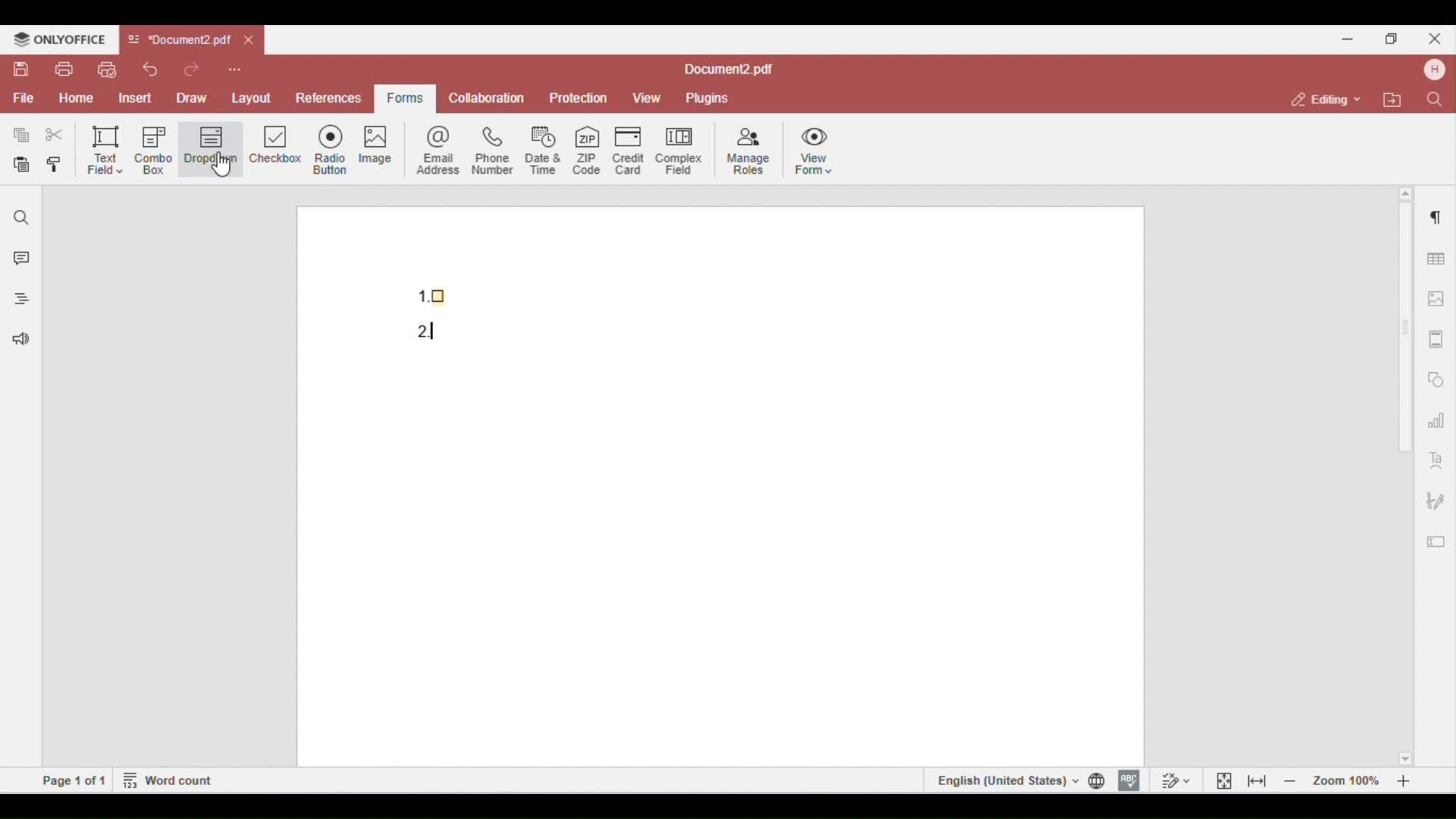 The height and width of the screenshot is (819, 1456). What do you see at coordinates (1432, 70) in the screenshot?
I see `account` at bounding box center [1432, 70].